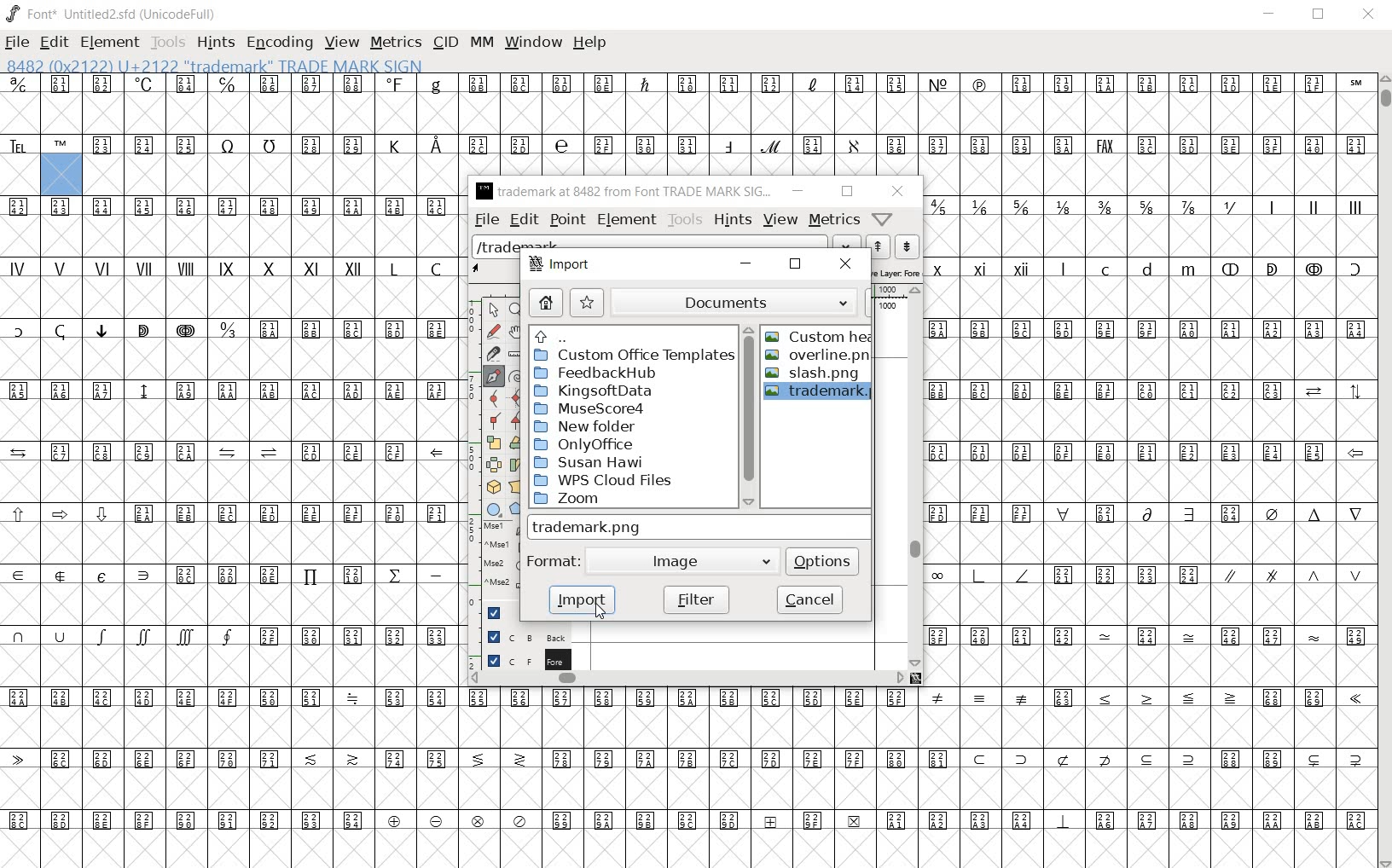 The width and height of the screenshot is (1392, 868). I want to click on load word list, so click(666, 242).